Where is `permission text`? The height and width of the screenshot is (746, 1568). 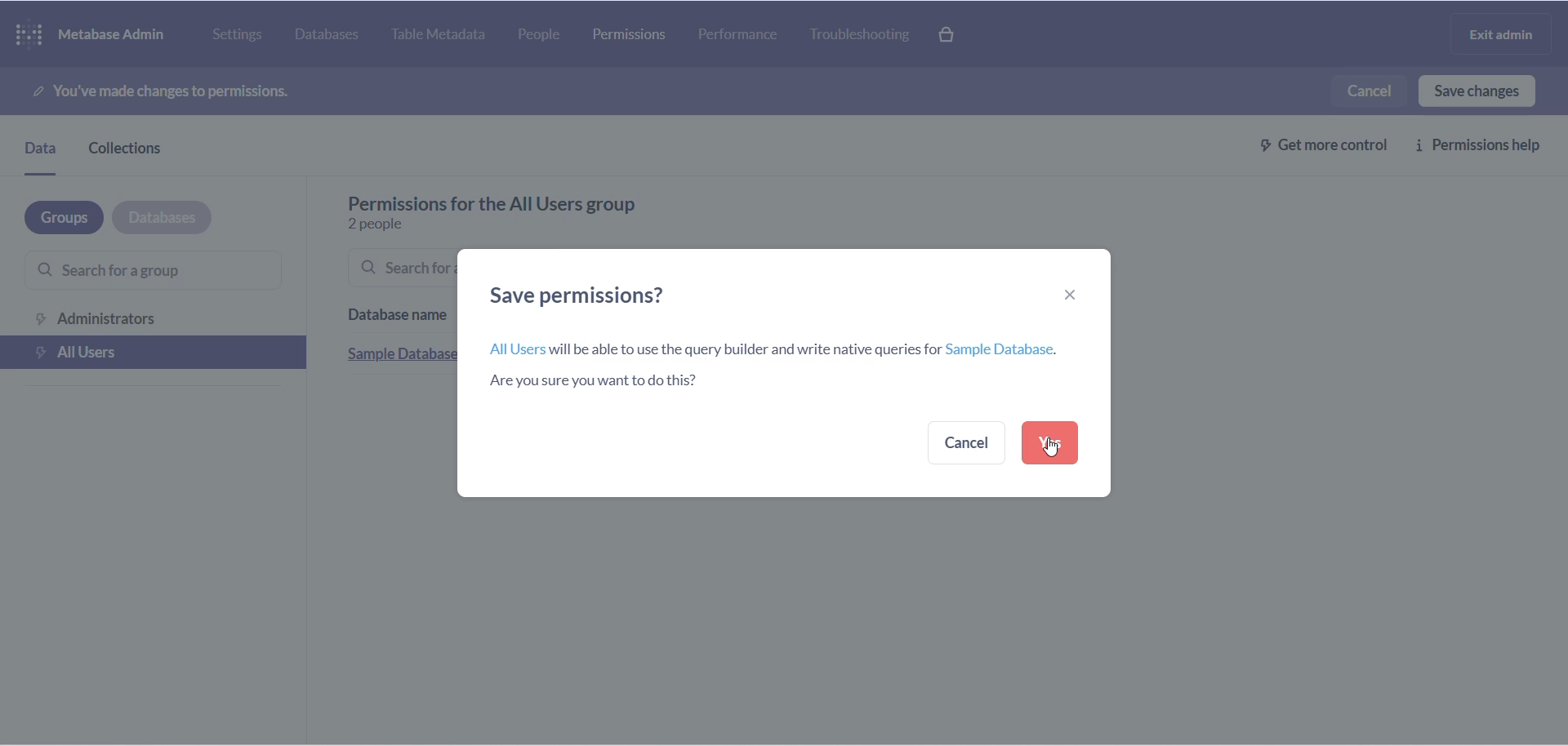 permission text is located at coordinates (194, 88).